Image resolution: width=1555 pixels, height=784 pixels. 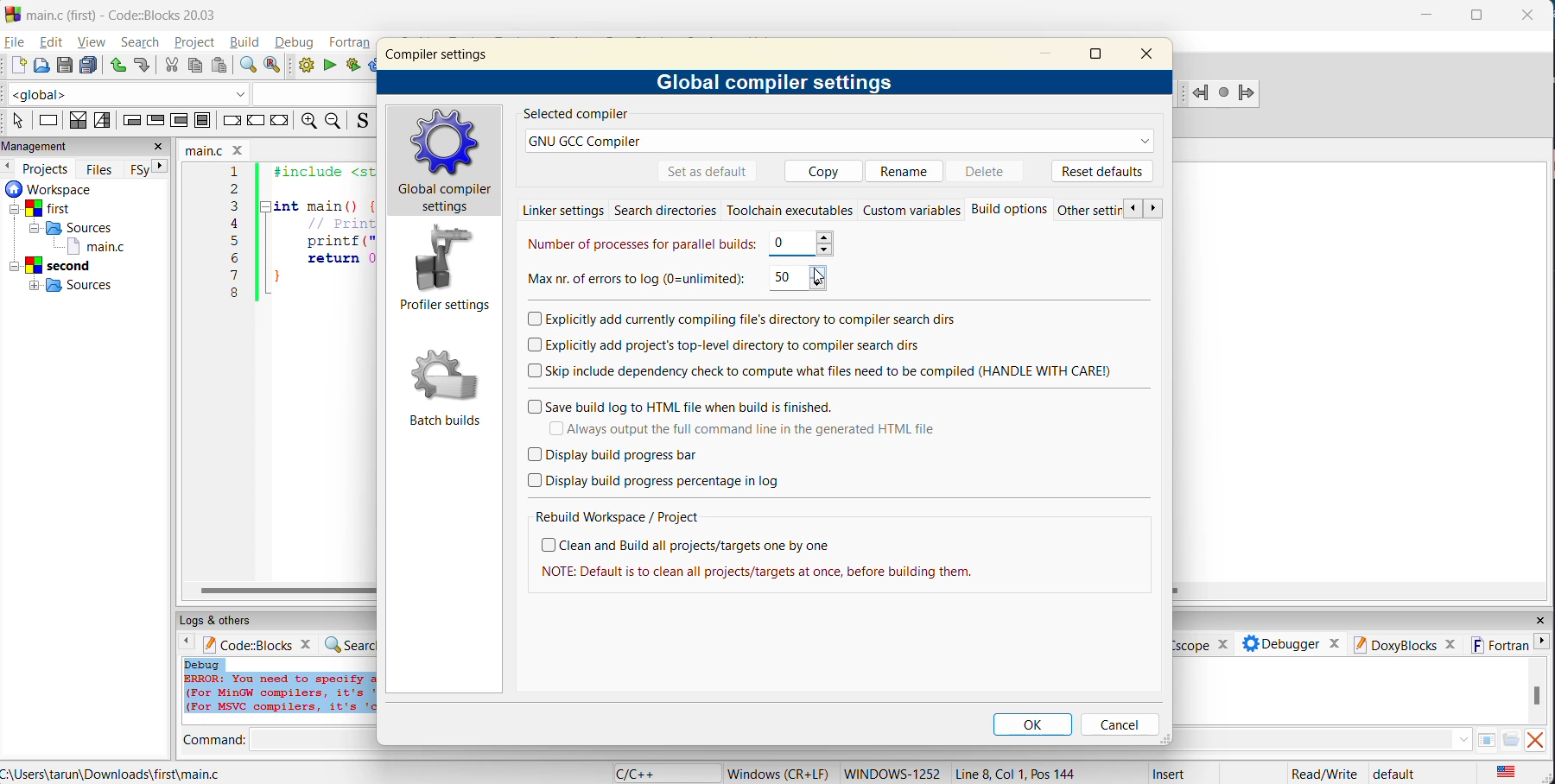 What do you see at coordinates (559, 210) in the screenshot?
I see `linker settings` at bounding box center [559, 210].